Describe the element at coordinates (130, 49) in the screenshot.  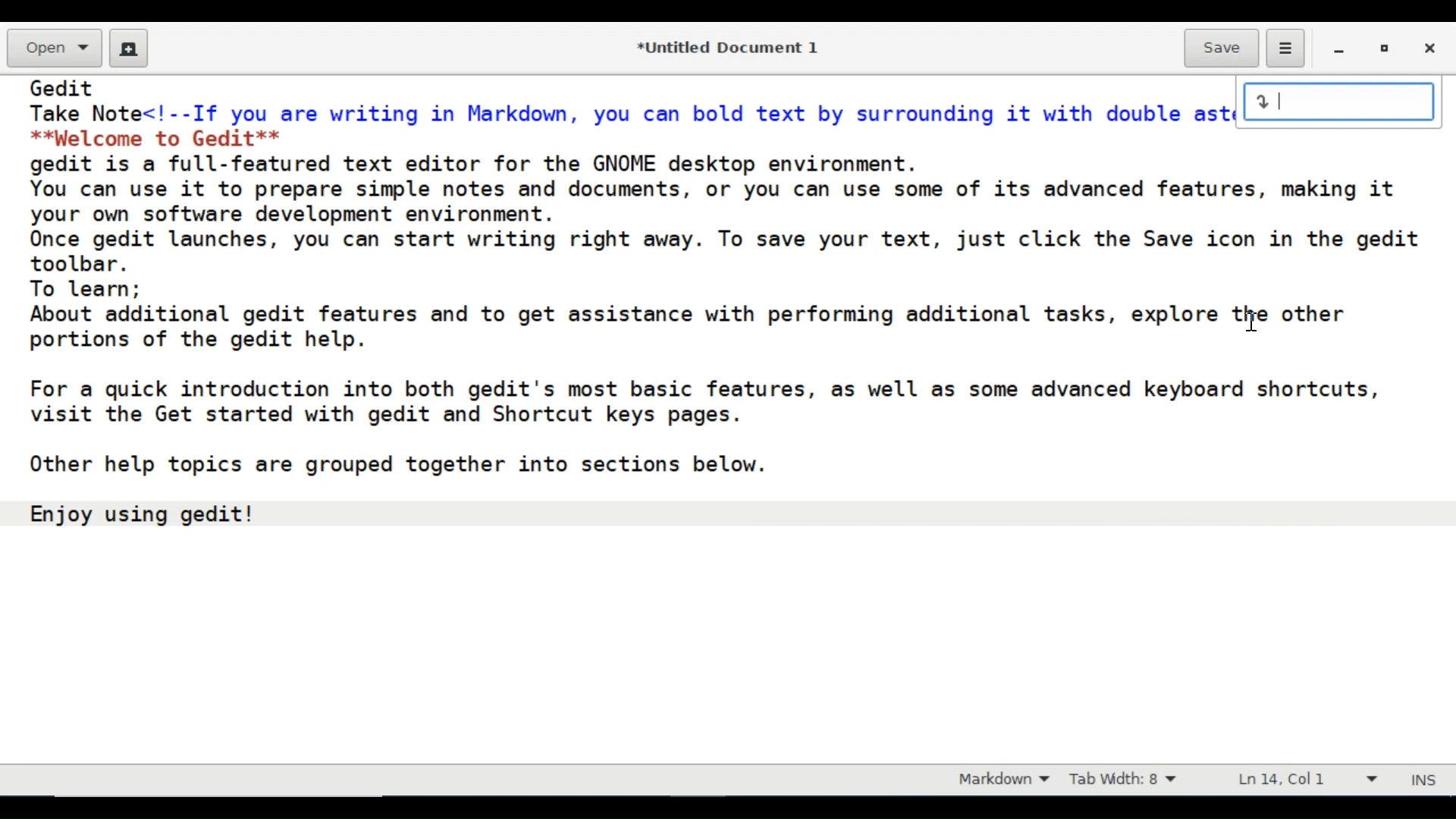
I see `Create a new document` at that location.